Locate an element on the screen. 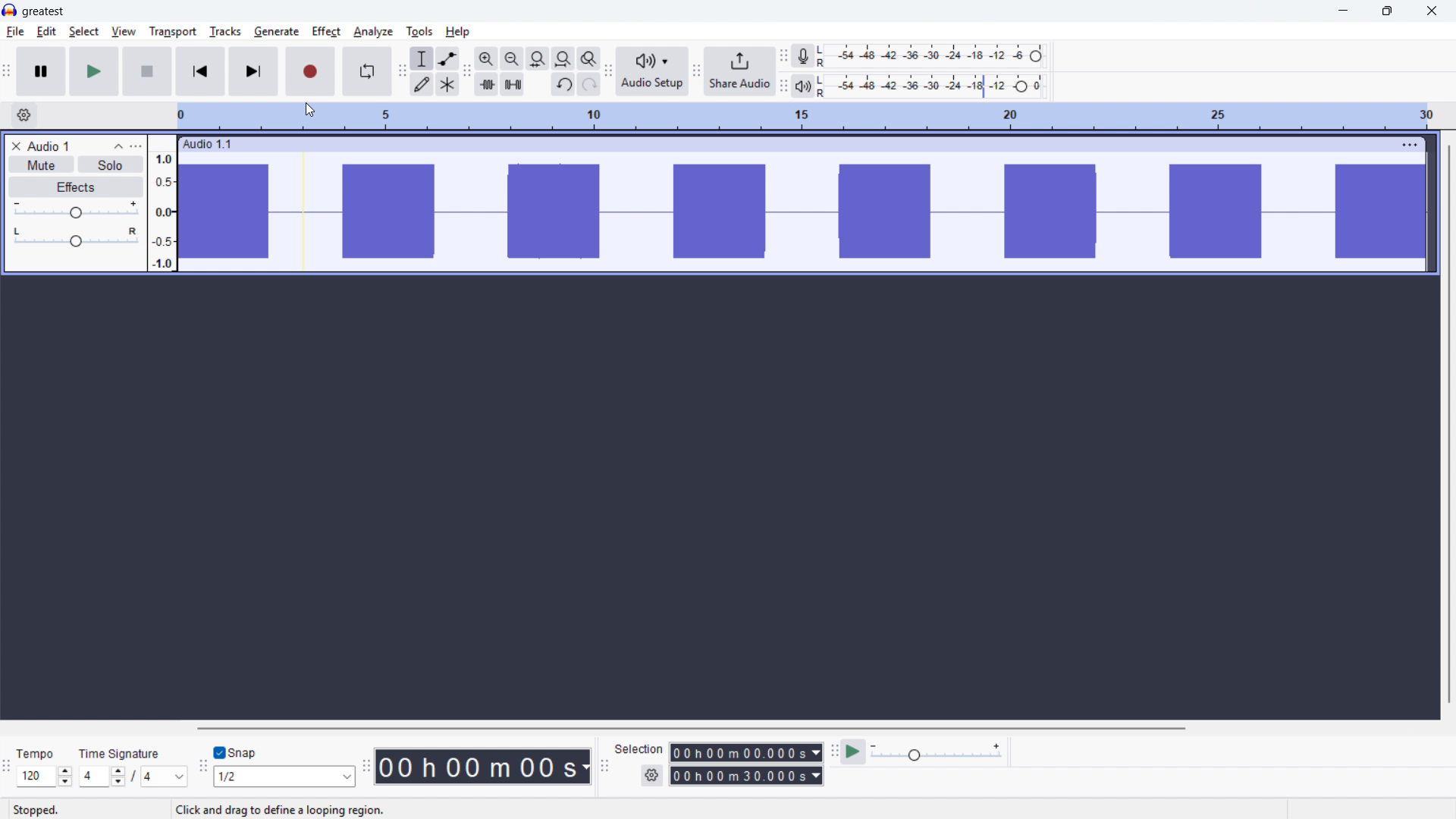  zoom in is located at coordinates (486, 58).